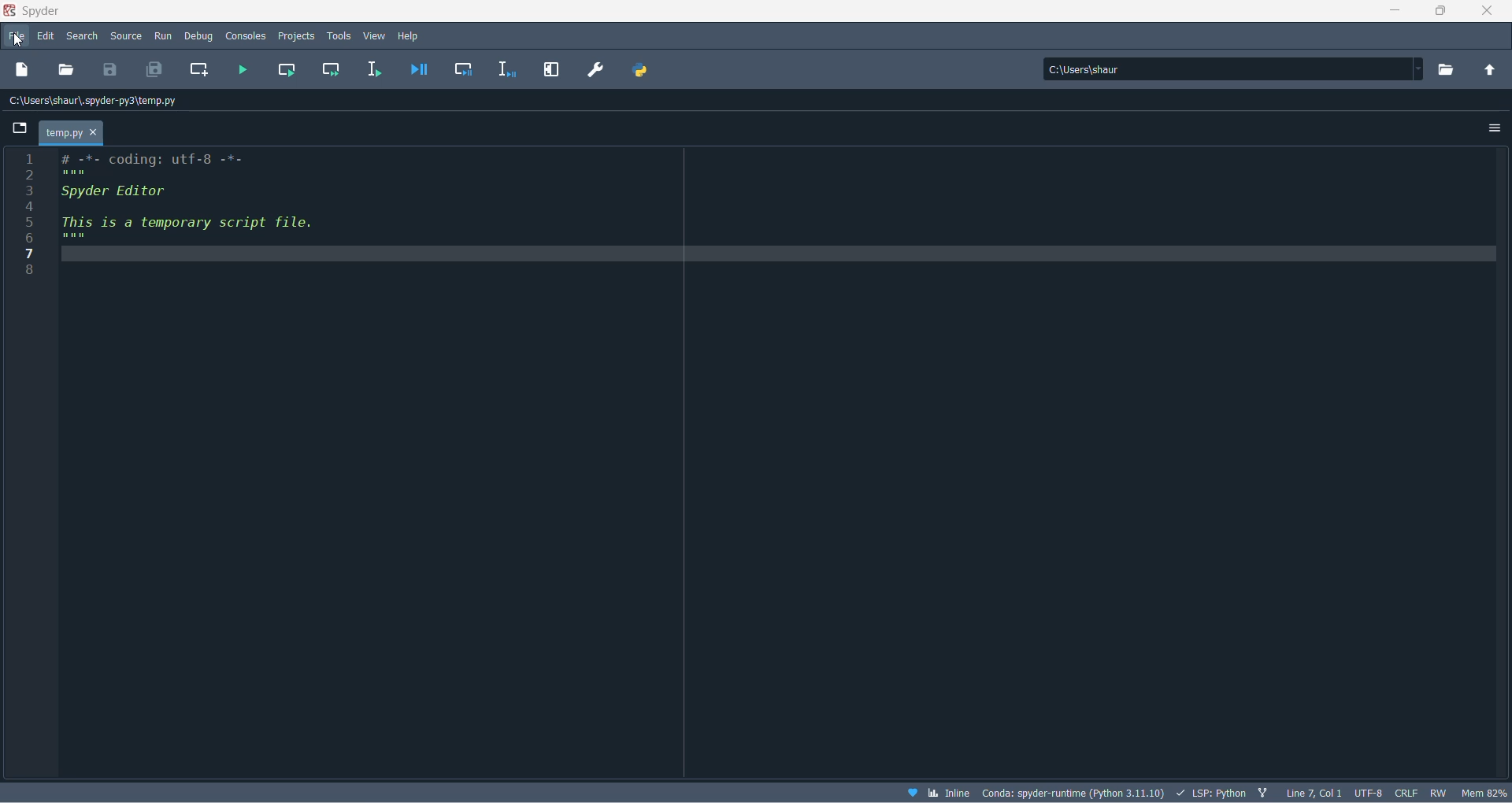 The width and height of the screenshot is (1512, 803). Describe the element at coordinates (17, 41) in the screenshot. I see `cursor` at that location.